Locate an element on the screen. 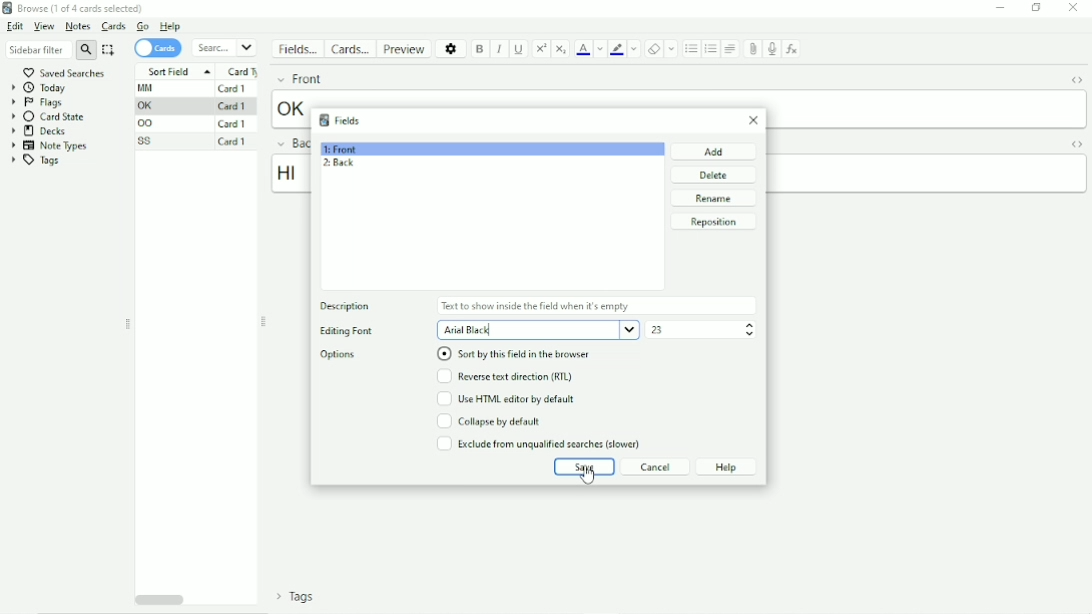  SS is located at coordinates (147, 141).